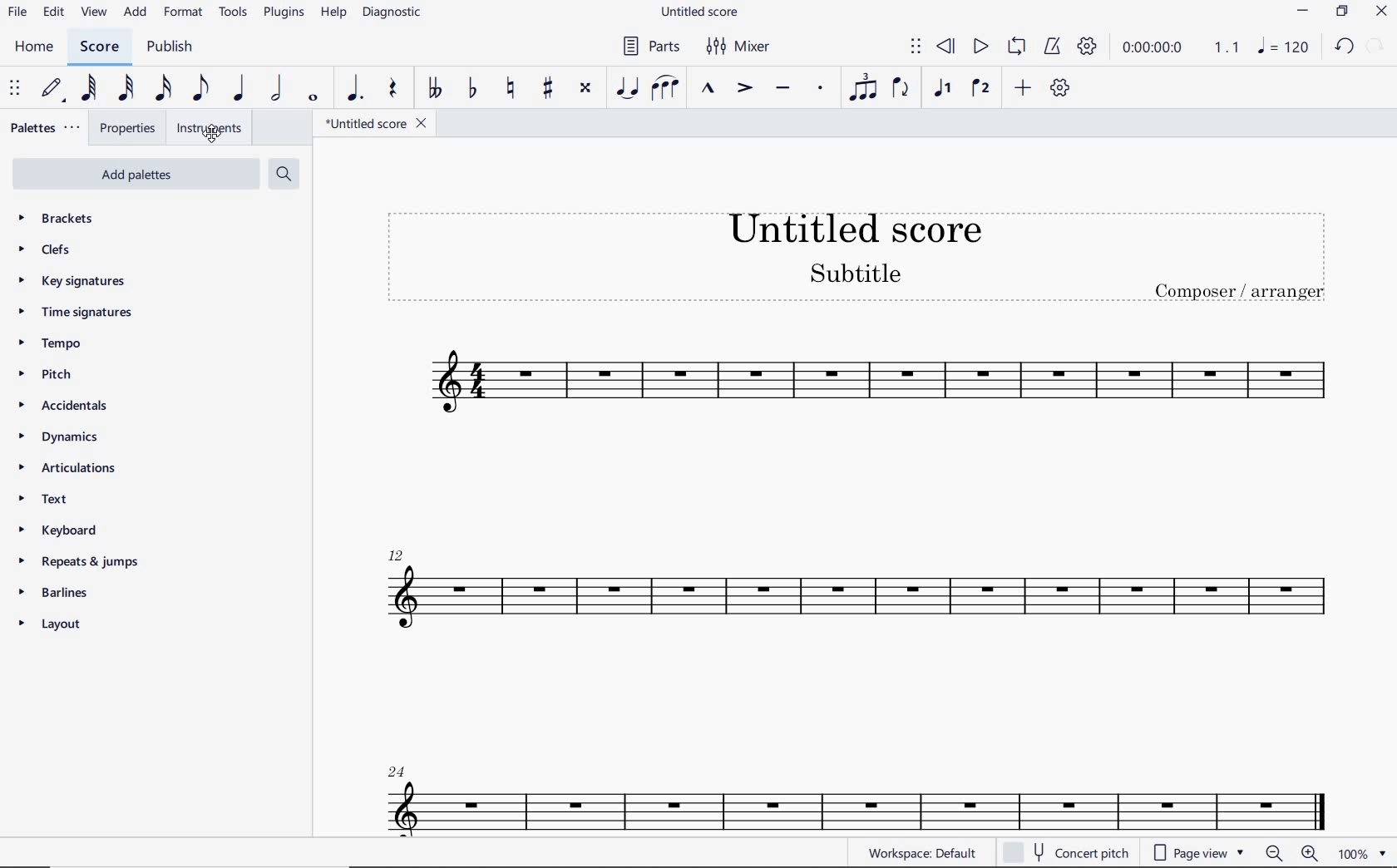 This screenshot has width=1397, height=868. What do you see at coordinates (334, 15) in the screenshot?
I see `HELP` at bounding box center [334, 15].